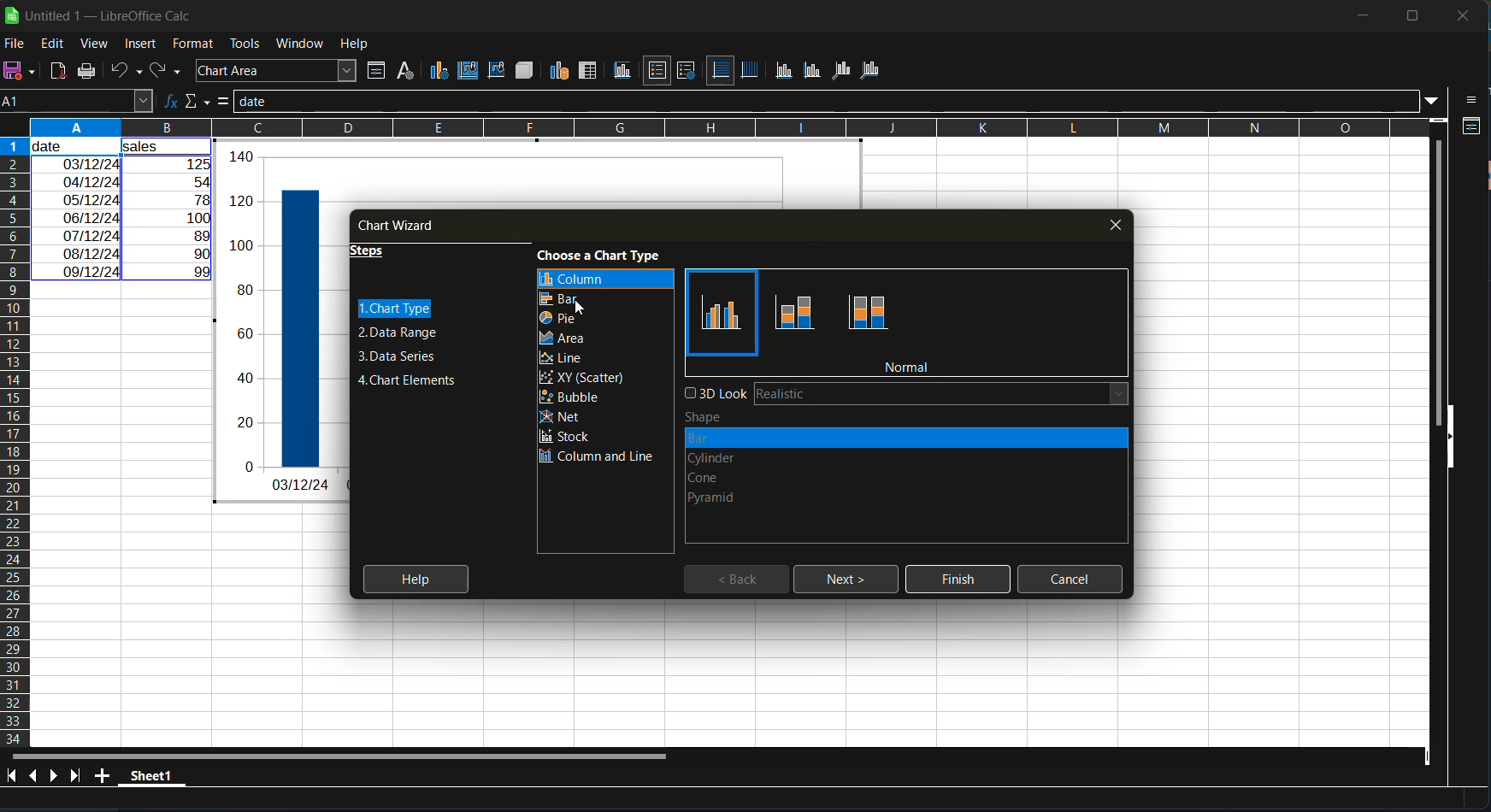  Describe the element at coordinates (911, 368) in the screenshot. I see `normal` at that location.